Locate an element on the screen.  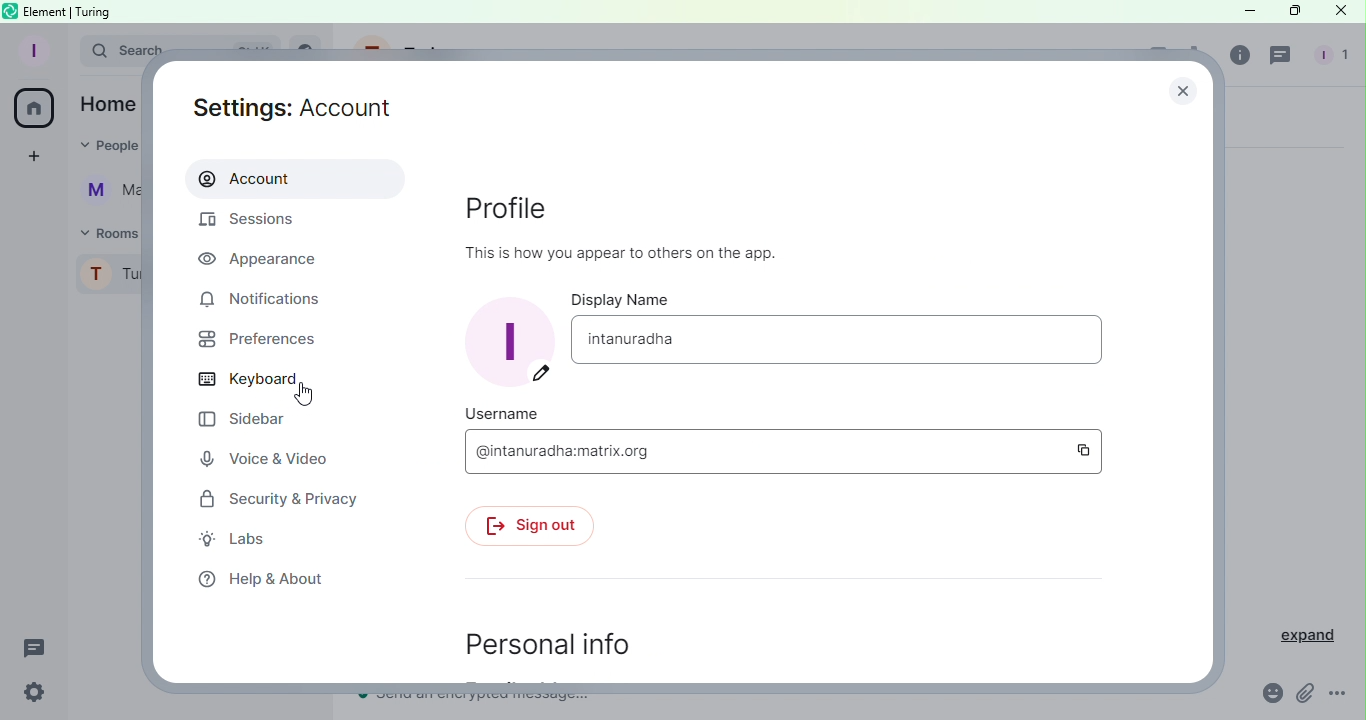
People is located at coordinates (1329, 57).